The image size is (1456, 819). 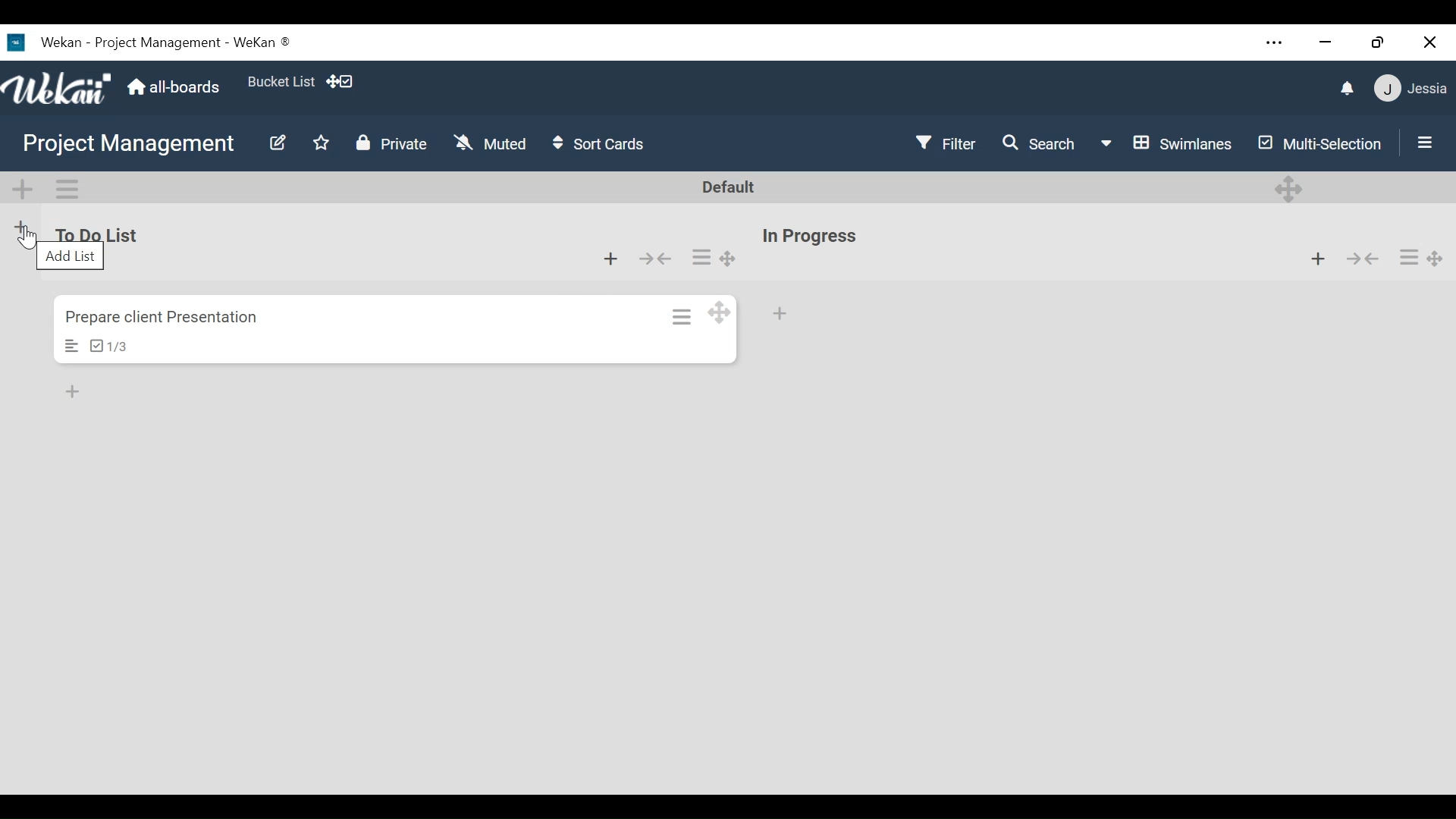 What do you see at coordinates (21, 188) in the screenshot?
I see `Add Swimlane` at bounding box center [21, 188].